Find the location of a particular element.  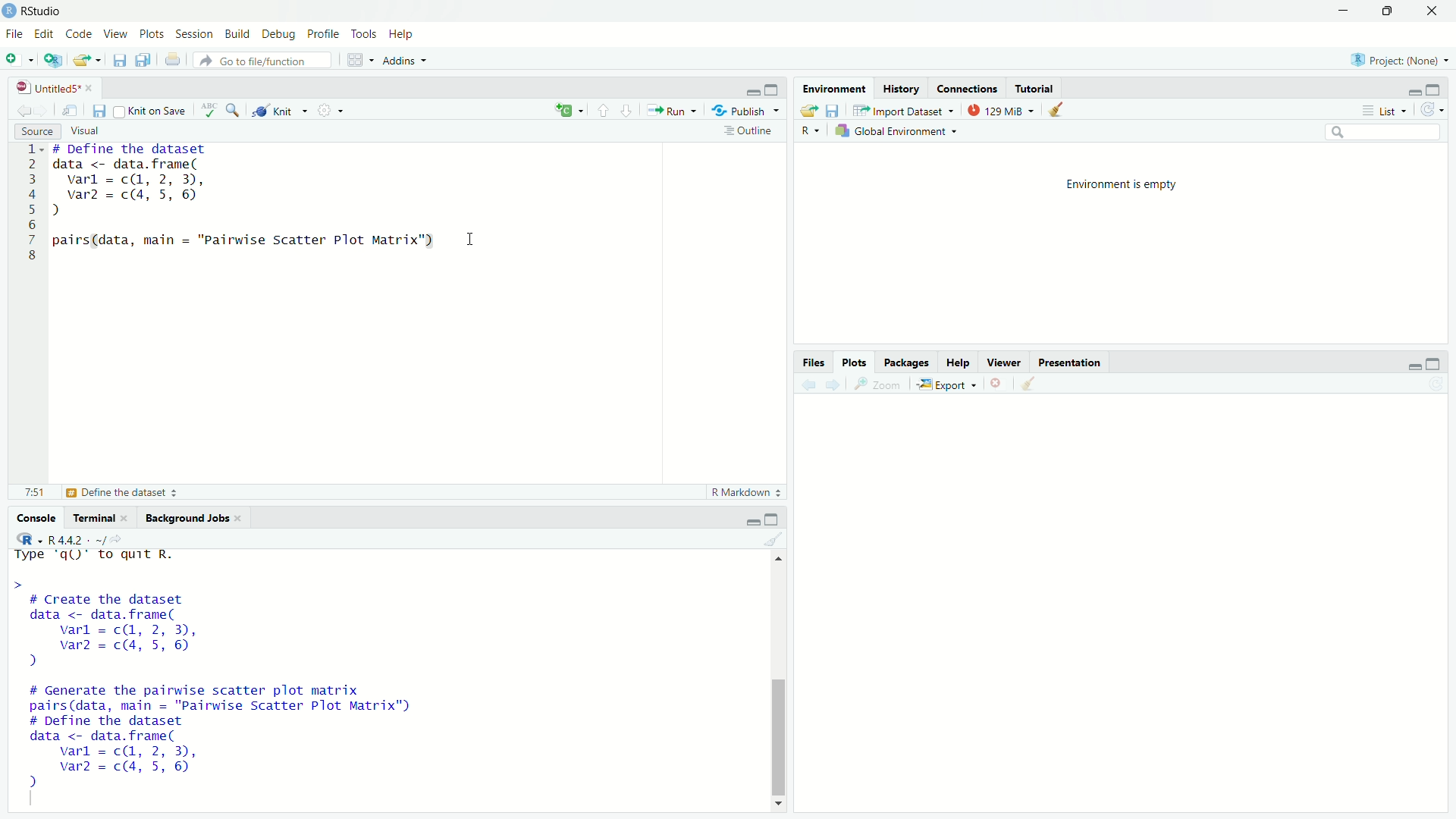

Minimize is located at coordinates (1344, 9).